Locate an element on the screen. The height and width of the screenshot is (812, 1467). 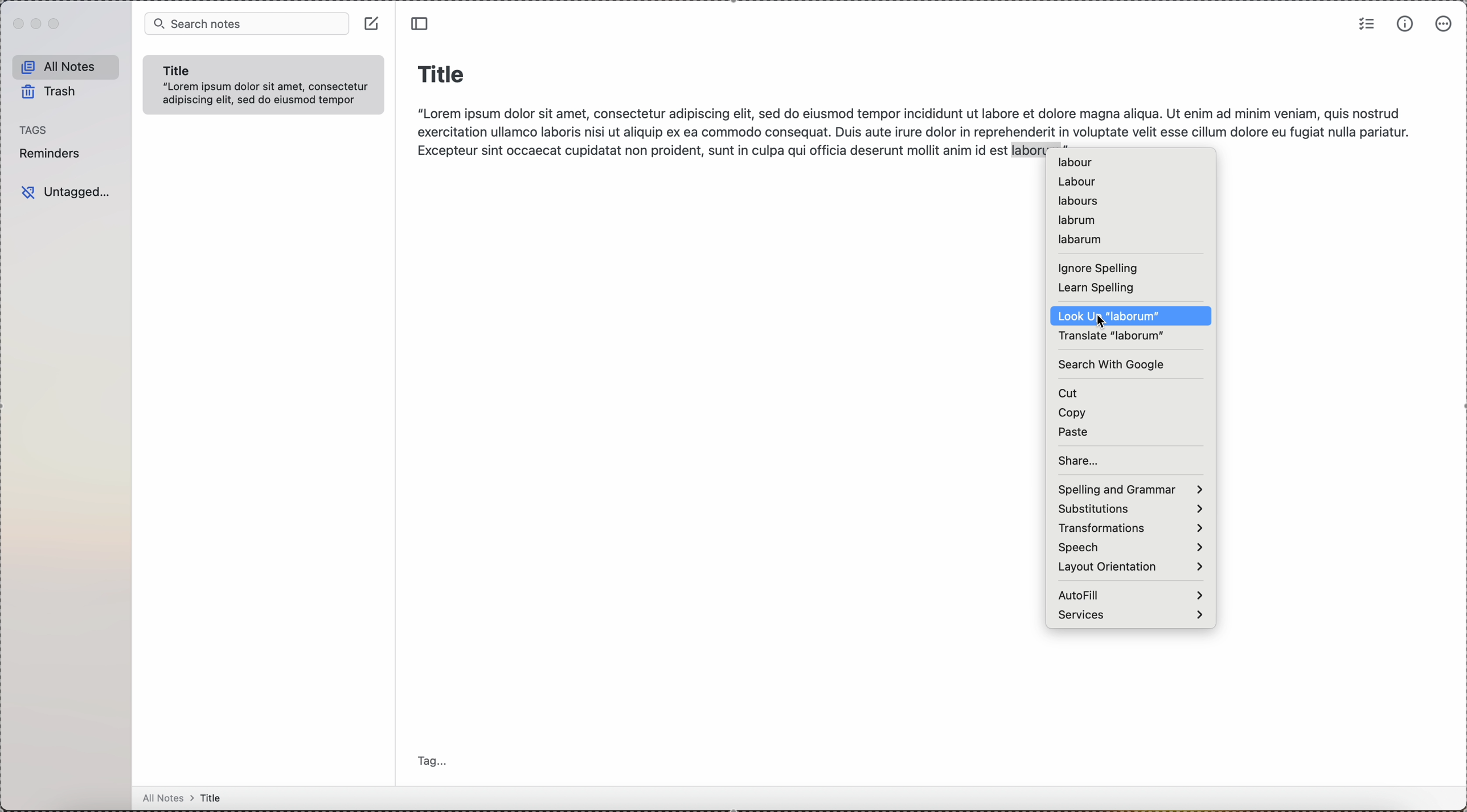
tags is located at coordinates (36, 130).